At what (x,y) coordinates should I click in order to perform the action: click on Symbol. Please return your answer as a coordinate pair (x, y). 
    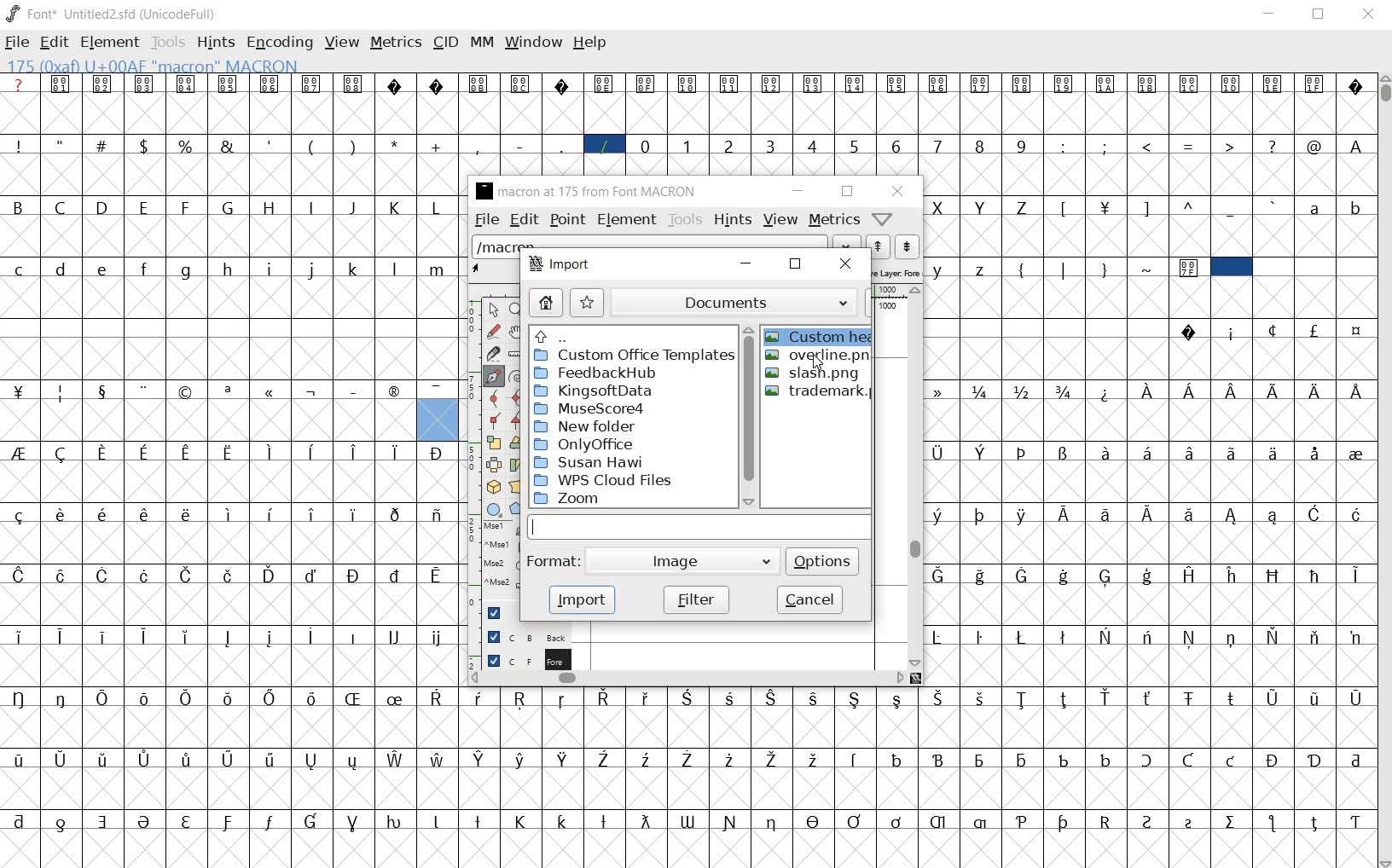
    Looking at the image, I should click on (980, 637).